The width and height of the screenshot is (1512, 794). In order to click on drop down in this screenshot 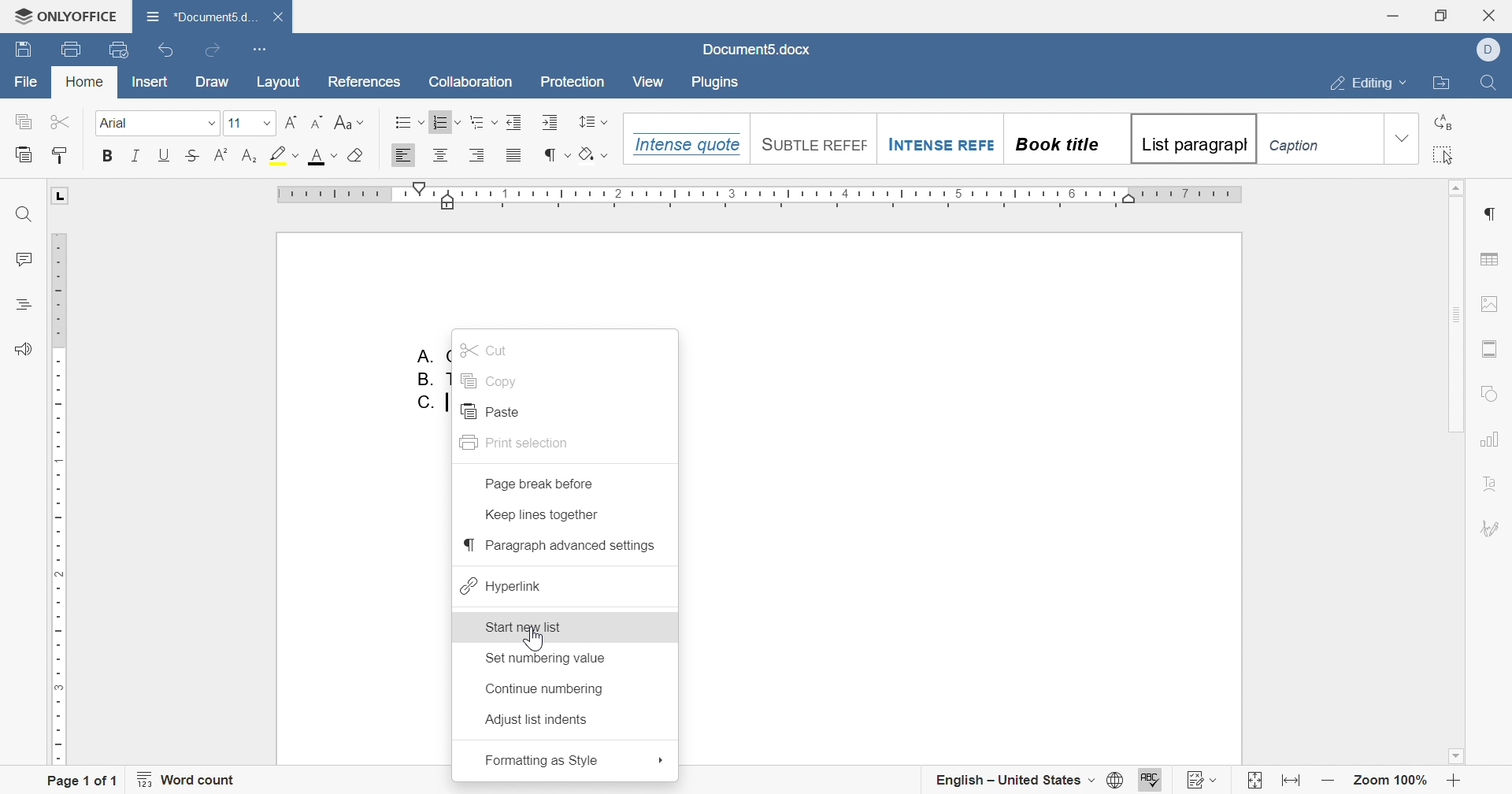, I will do `click(1402, 139)`.